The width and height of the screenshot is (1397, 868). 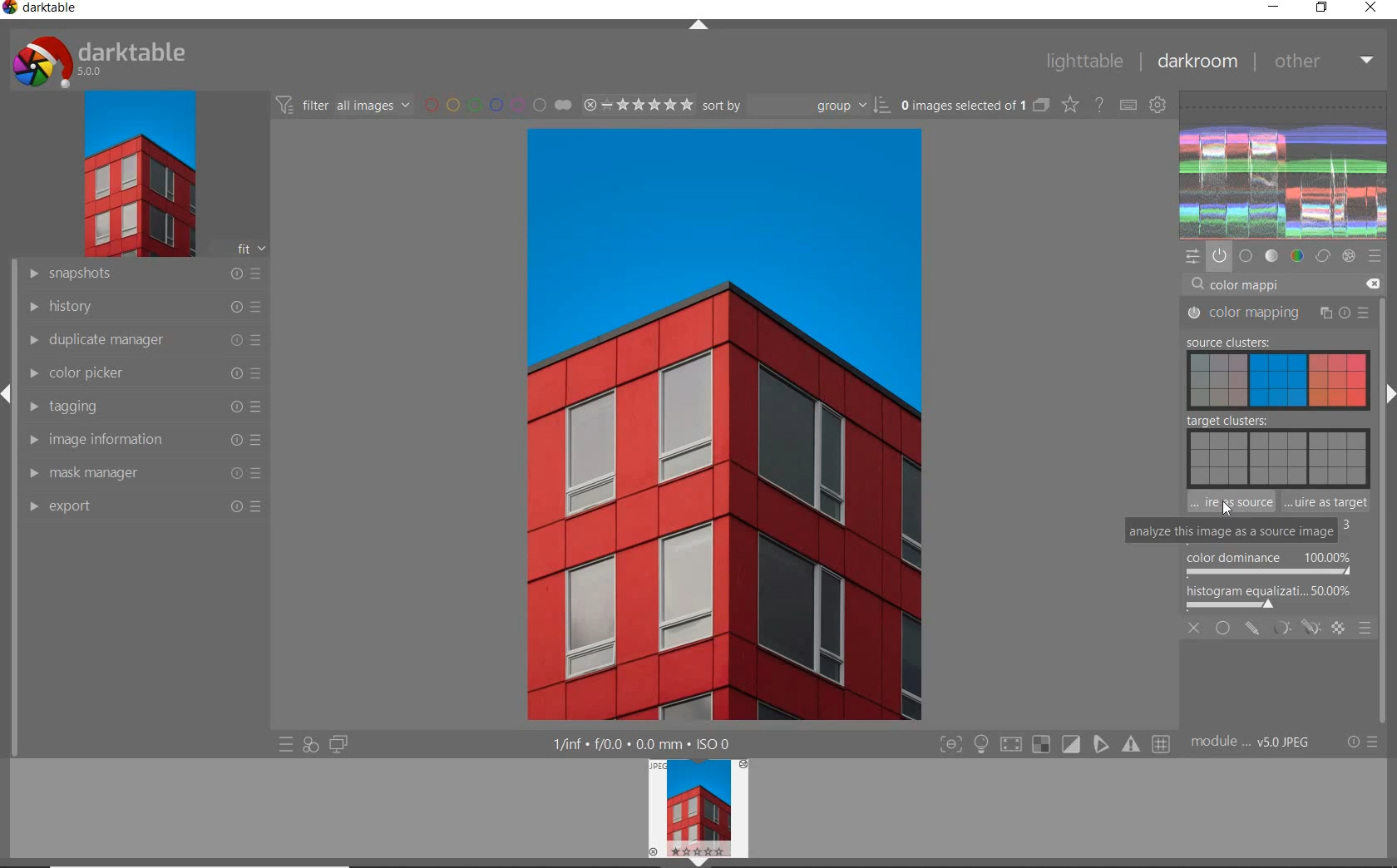 What do you see at coordinates (1269, 565) in the screenshot?
I see `COLOR DOMINANCE` at bounding box center [1269, 565].